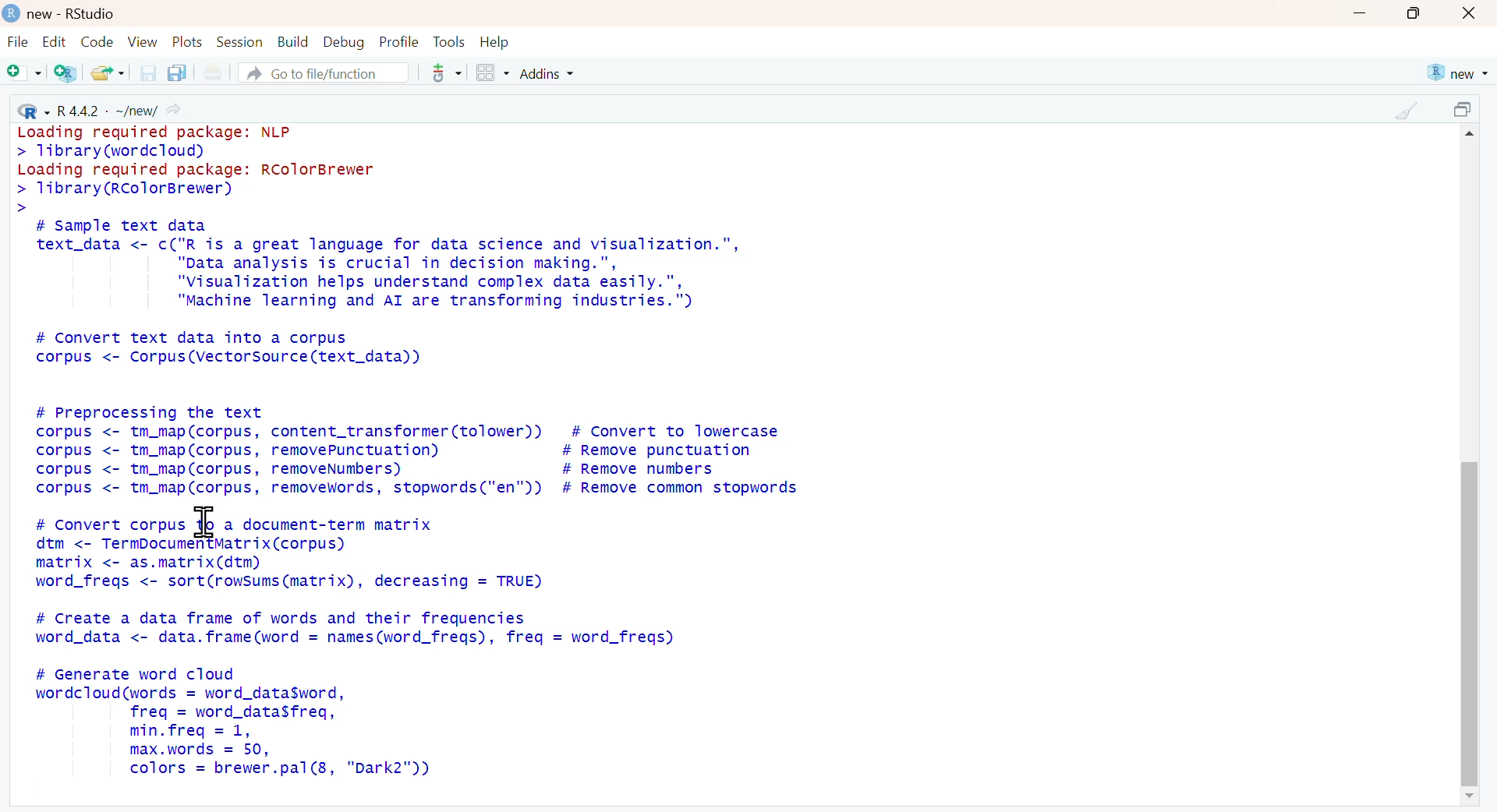  I want to click on View, so click(145, 42).